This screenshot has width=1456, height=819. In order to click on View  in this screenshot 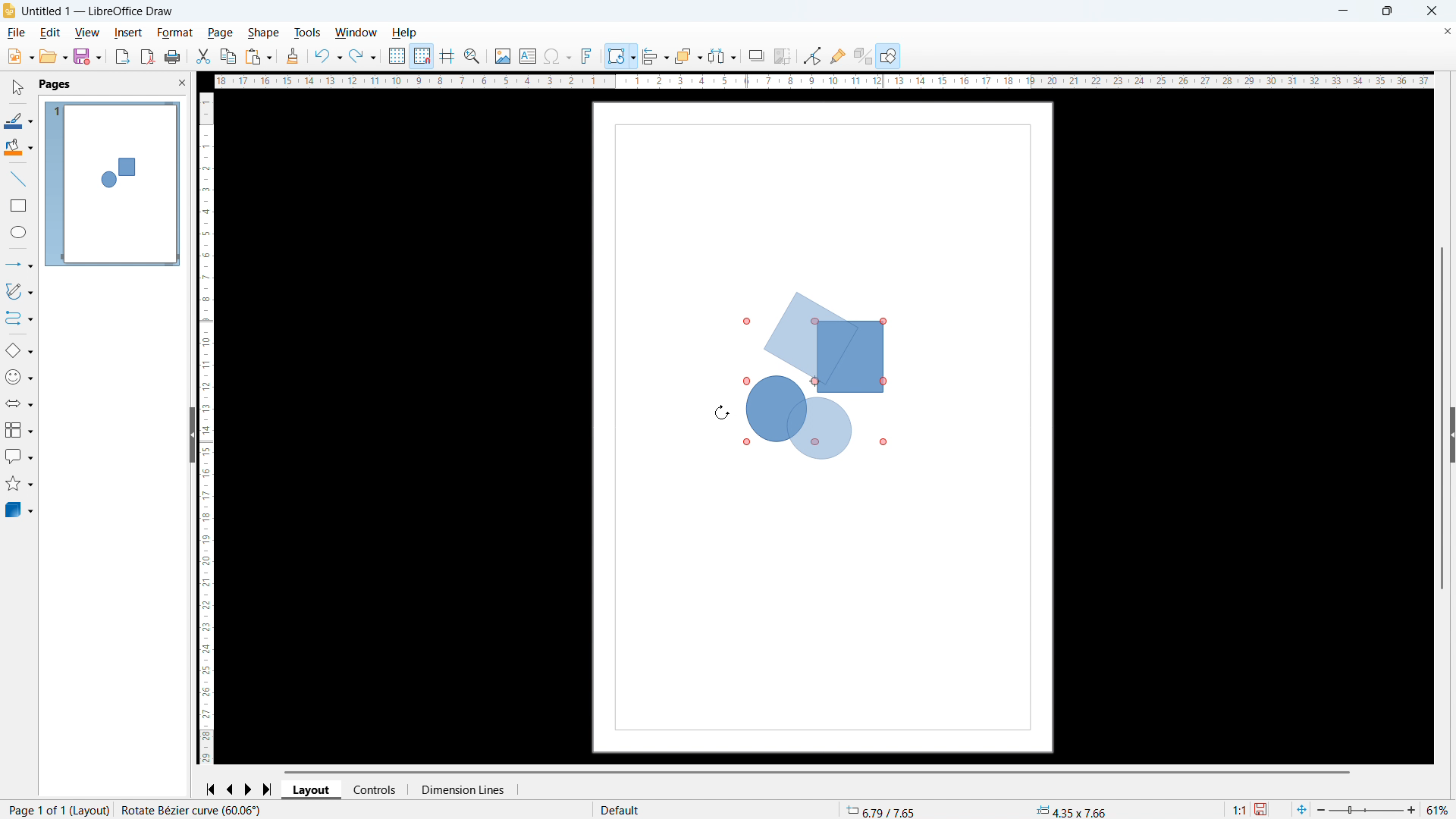, I will do `click(86, 33)`.